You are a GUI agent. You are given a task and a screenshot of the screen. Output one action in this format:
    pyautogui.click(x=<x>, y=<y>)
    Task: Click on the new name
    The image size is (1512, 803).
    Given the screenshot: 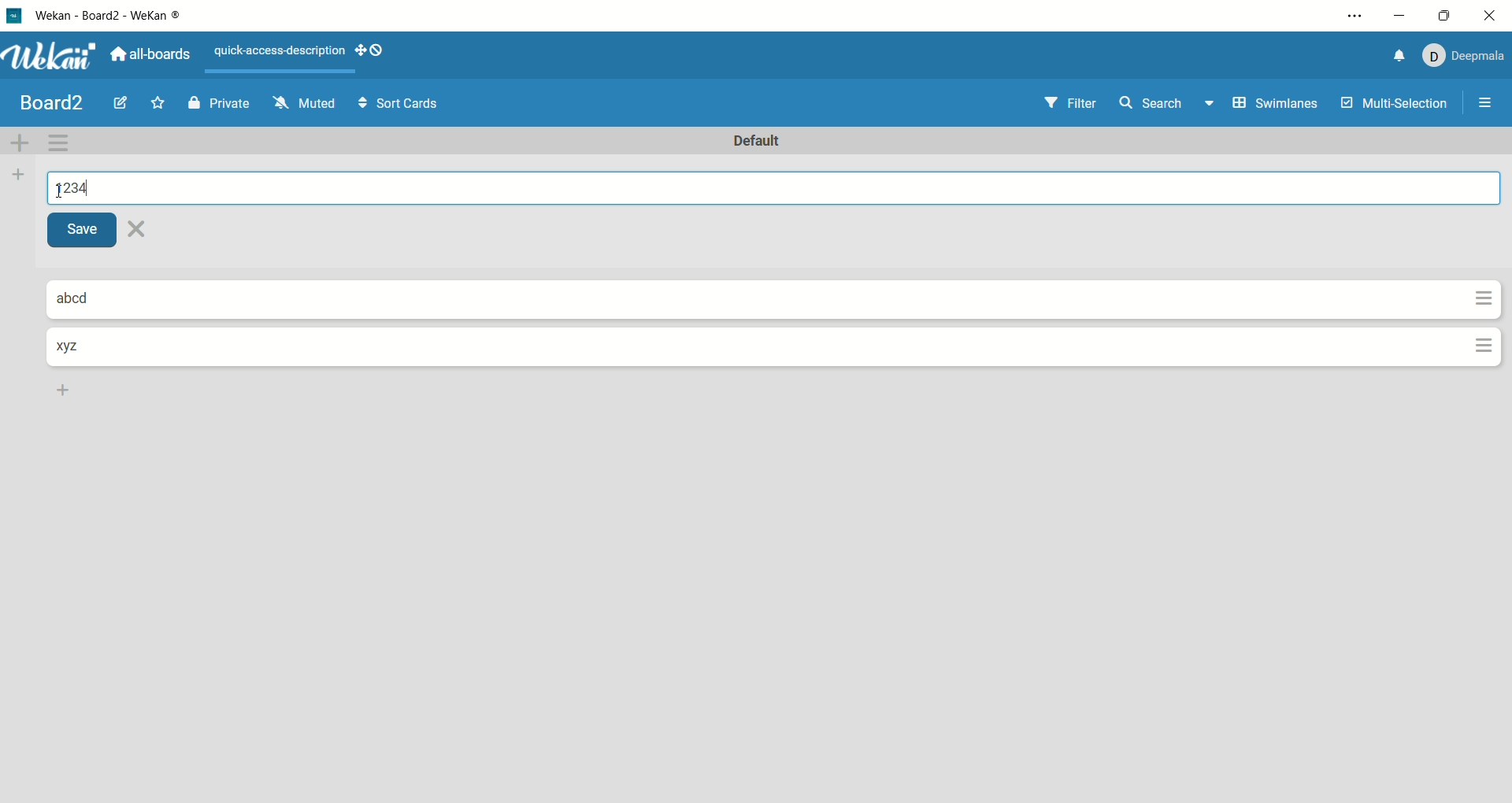 What is the action you would take?
    pyautogui.click(x=74, y=189)
    